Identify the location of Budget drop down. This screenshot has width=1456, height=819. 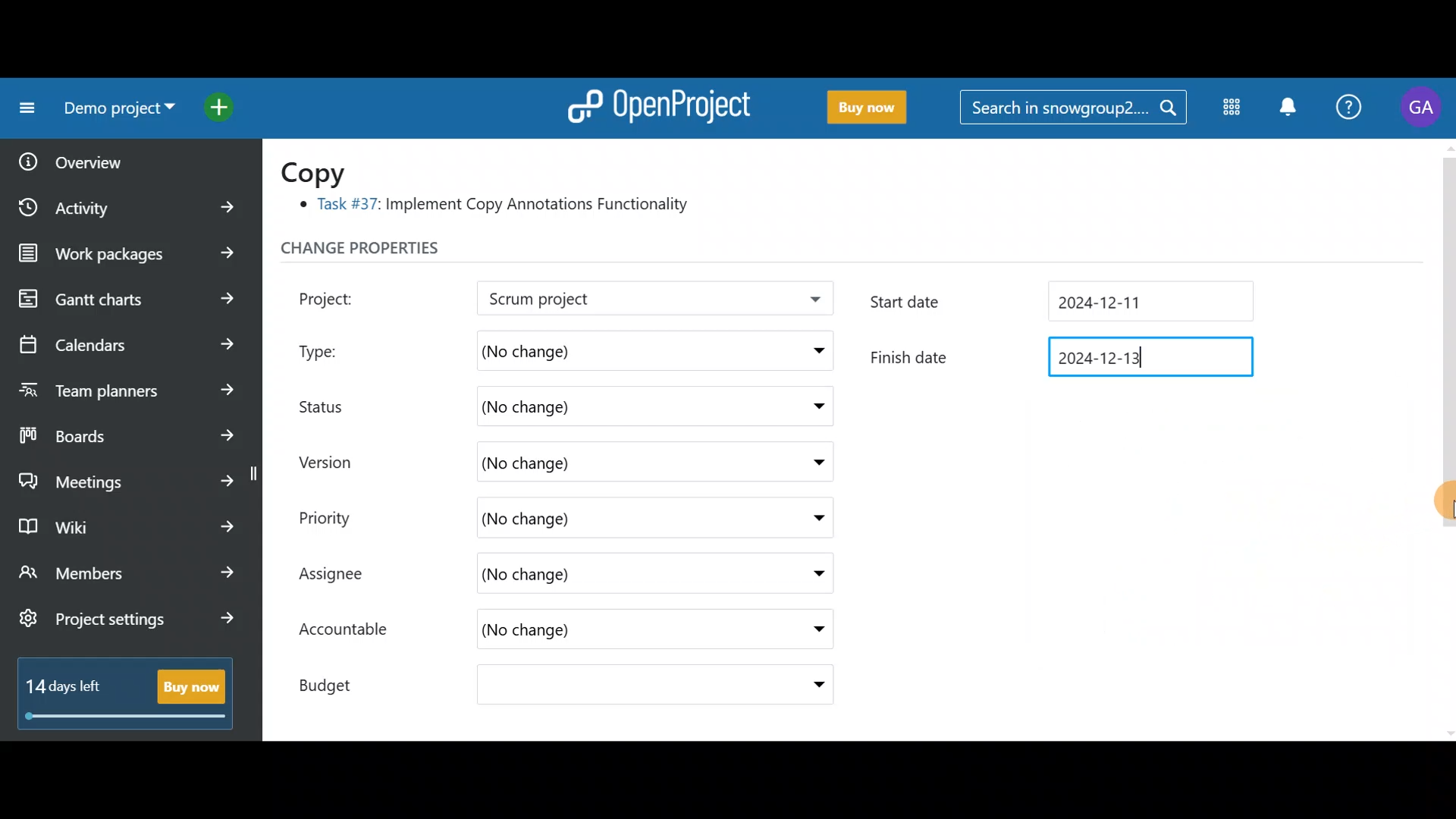
(809, 685).